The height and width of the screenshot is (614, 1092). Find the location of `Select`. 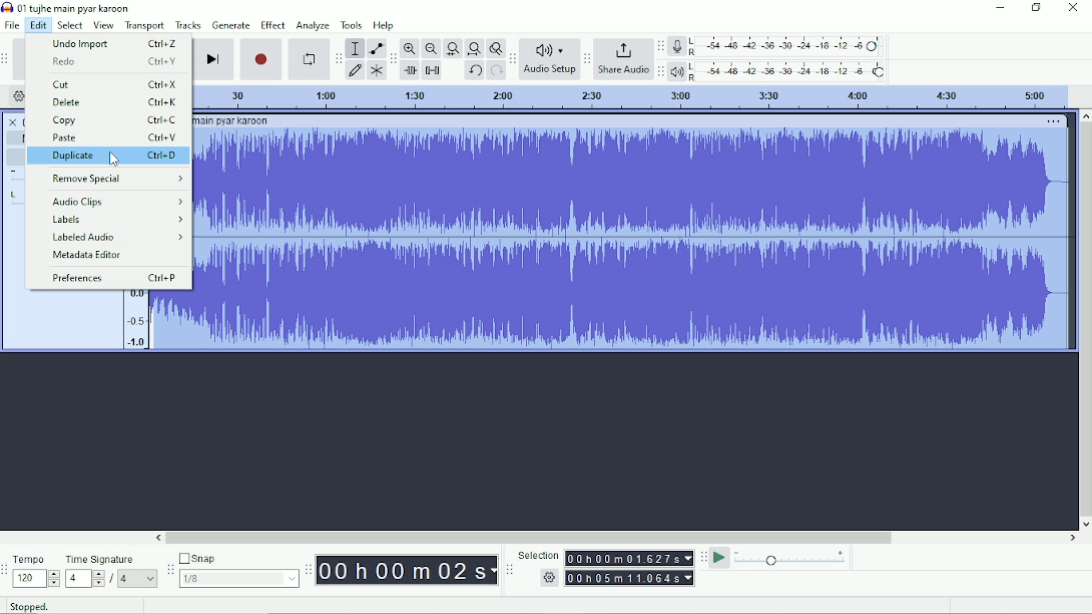

Select is located at coordinates (71, 25).